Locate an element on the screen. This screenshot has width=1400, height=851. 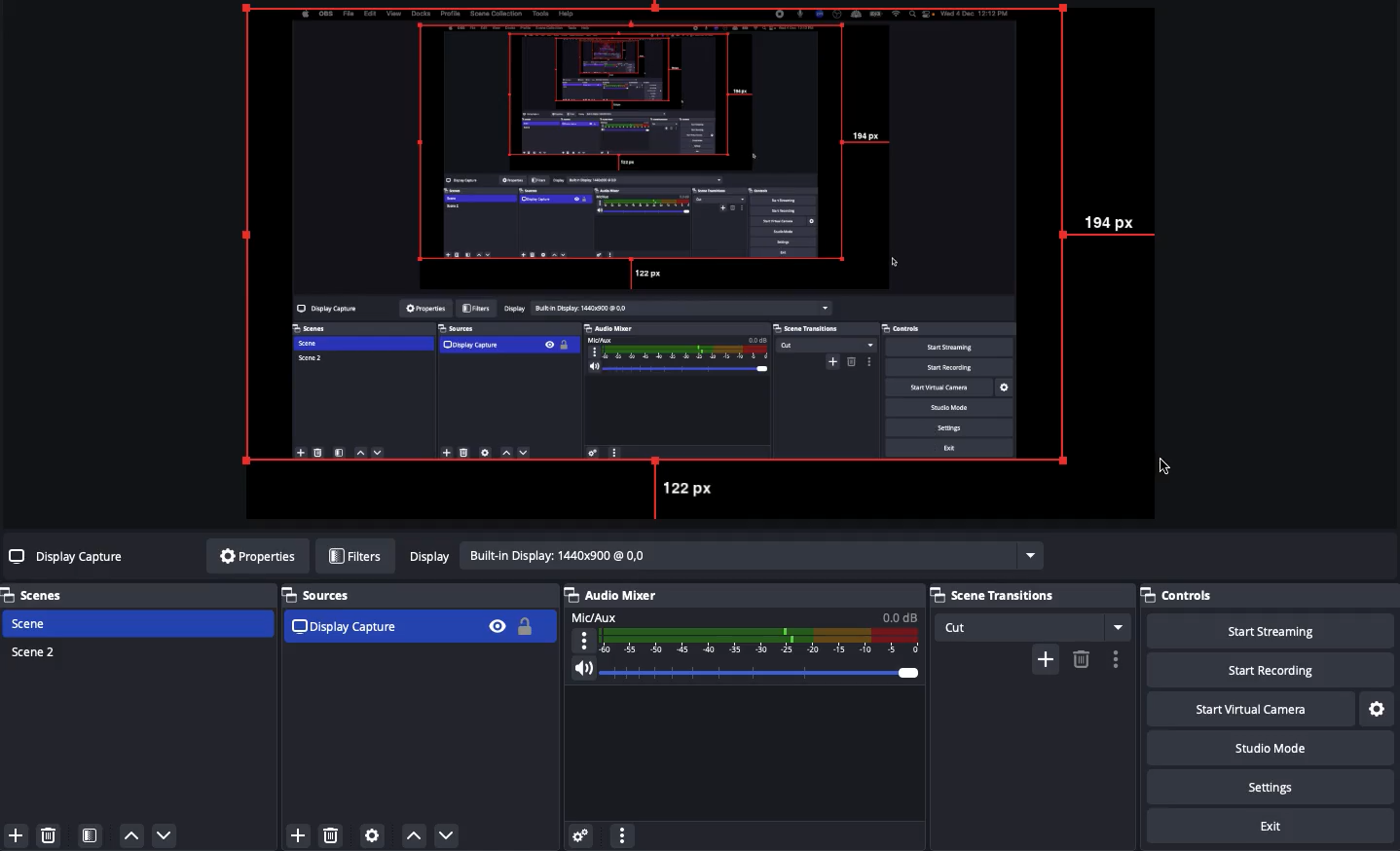
Delete is located at coordinates (332, 832).